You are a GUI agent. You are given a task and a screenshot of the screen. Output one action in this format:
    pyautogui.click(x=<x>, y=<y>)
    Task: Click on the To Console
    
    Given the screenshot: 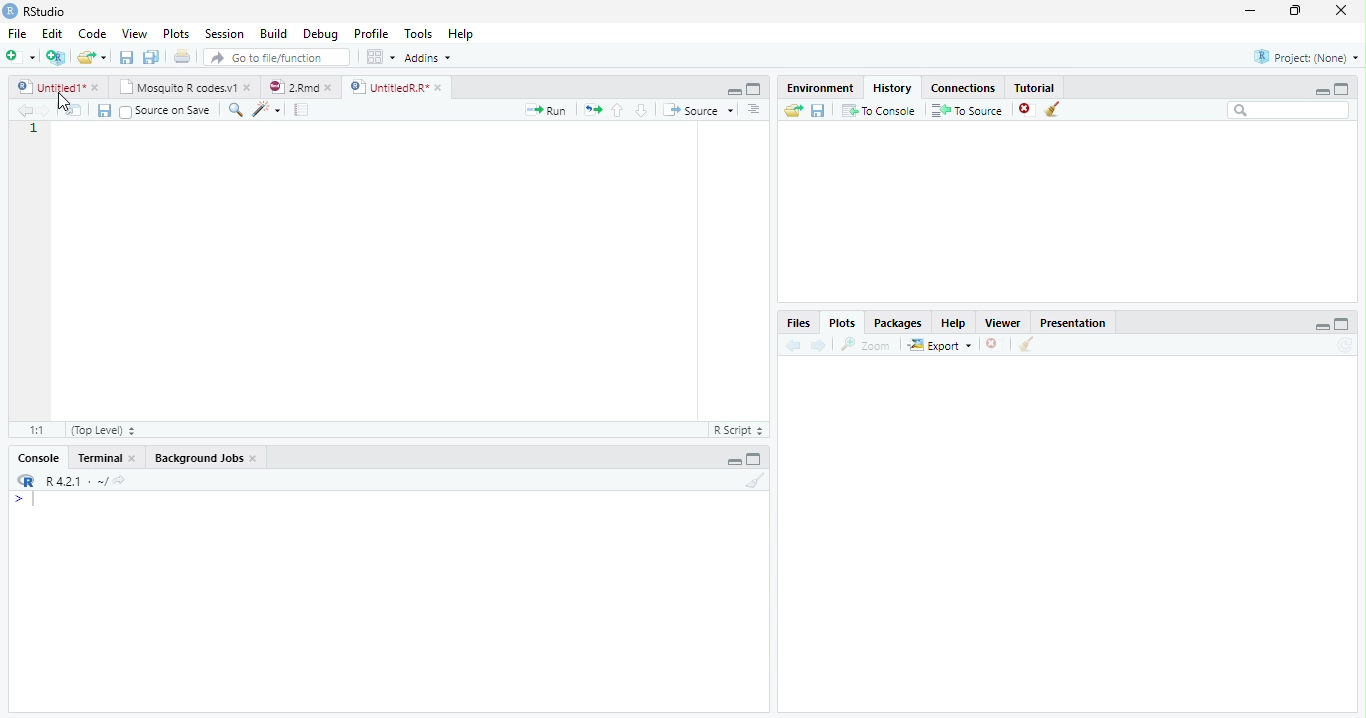 What is the action you would take?
    pyautogui.click(x=878, y=111)
    